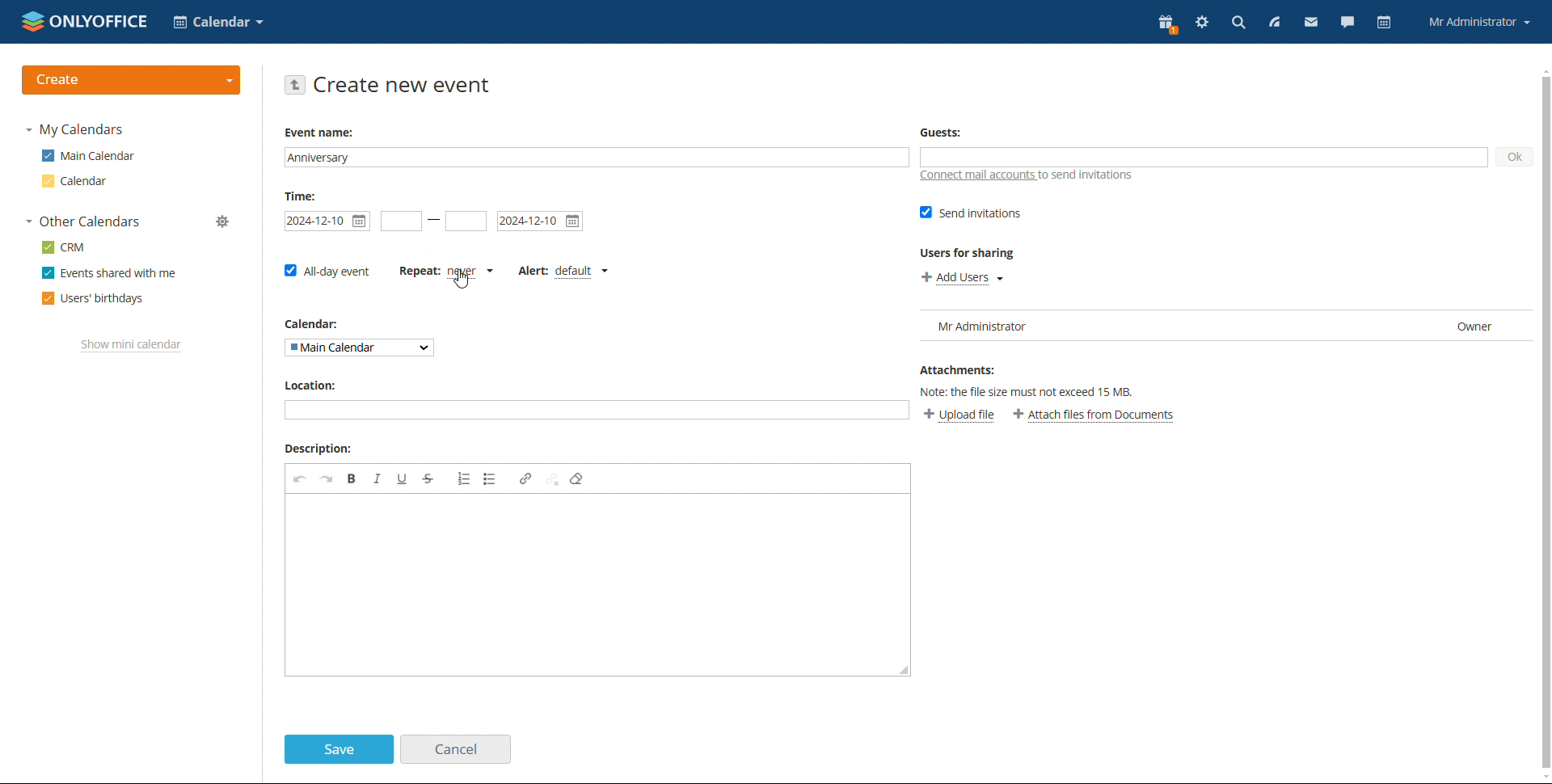 Image resolution: width=1552 pixels, height=784 pixels. I want to click on add guests, so click(1204, 158).